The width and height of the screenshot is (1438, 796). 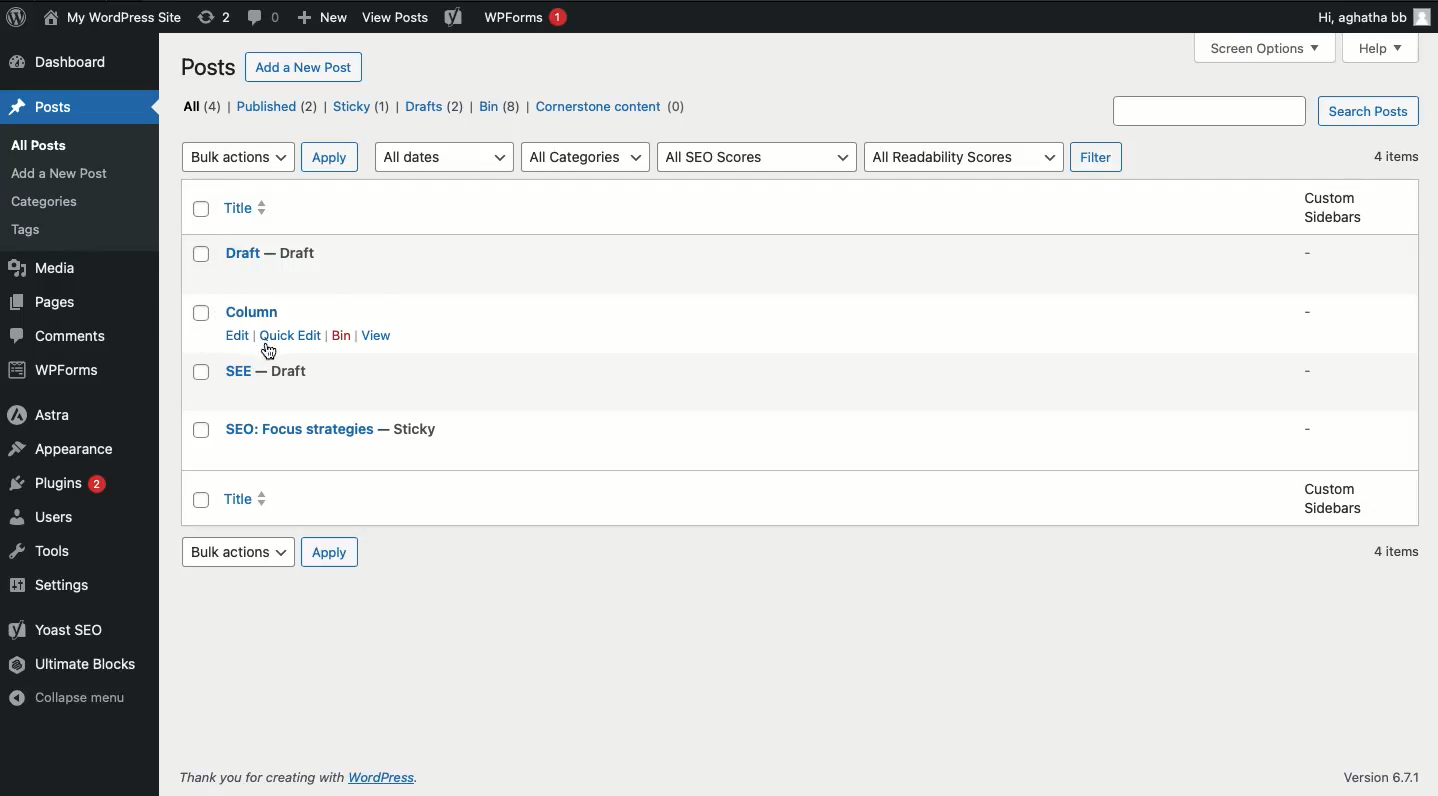 What do you see at coordinates (377, 336) in the screenshot?
I see `View` at bounding box center [377, 336].